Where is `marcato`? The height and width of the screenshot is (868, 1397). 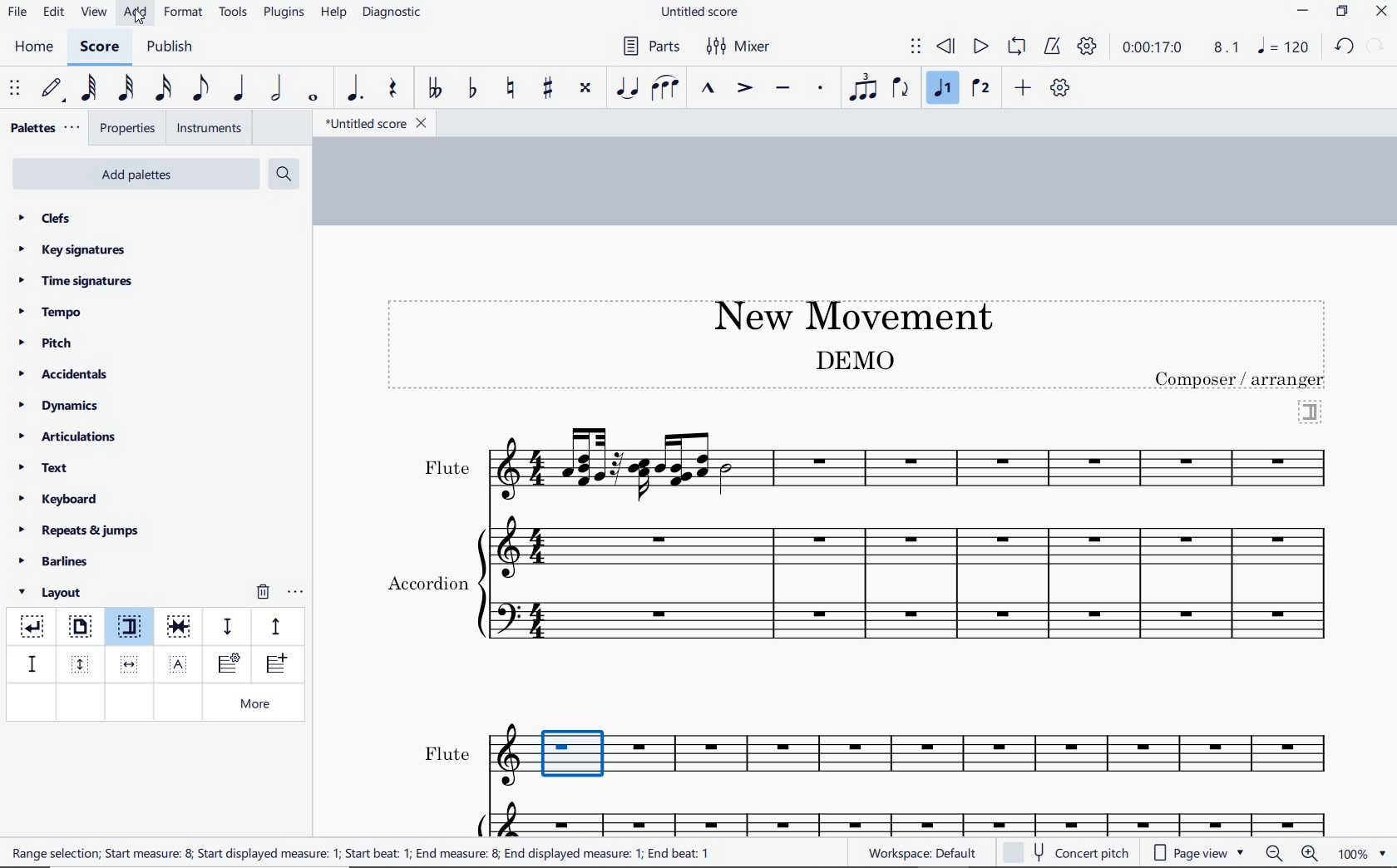 marcato is located at coordinates (710, 90).